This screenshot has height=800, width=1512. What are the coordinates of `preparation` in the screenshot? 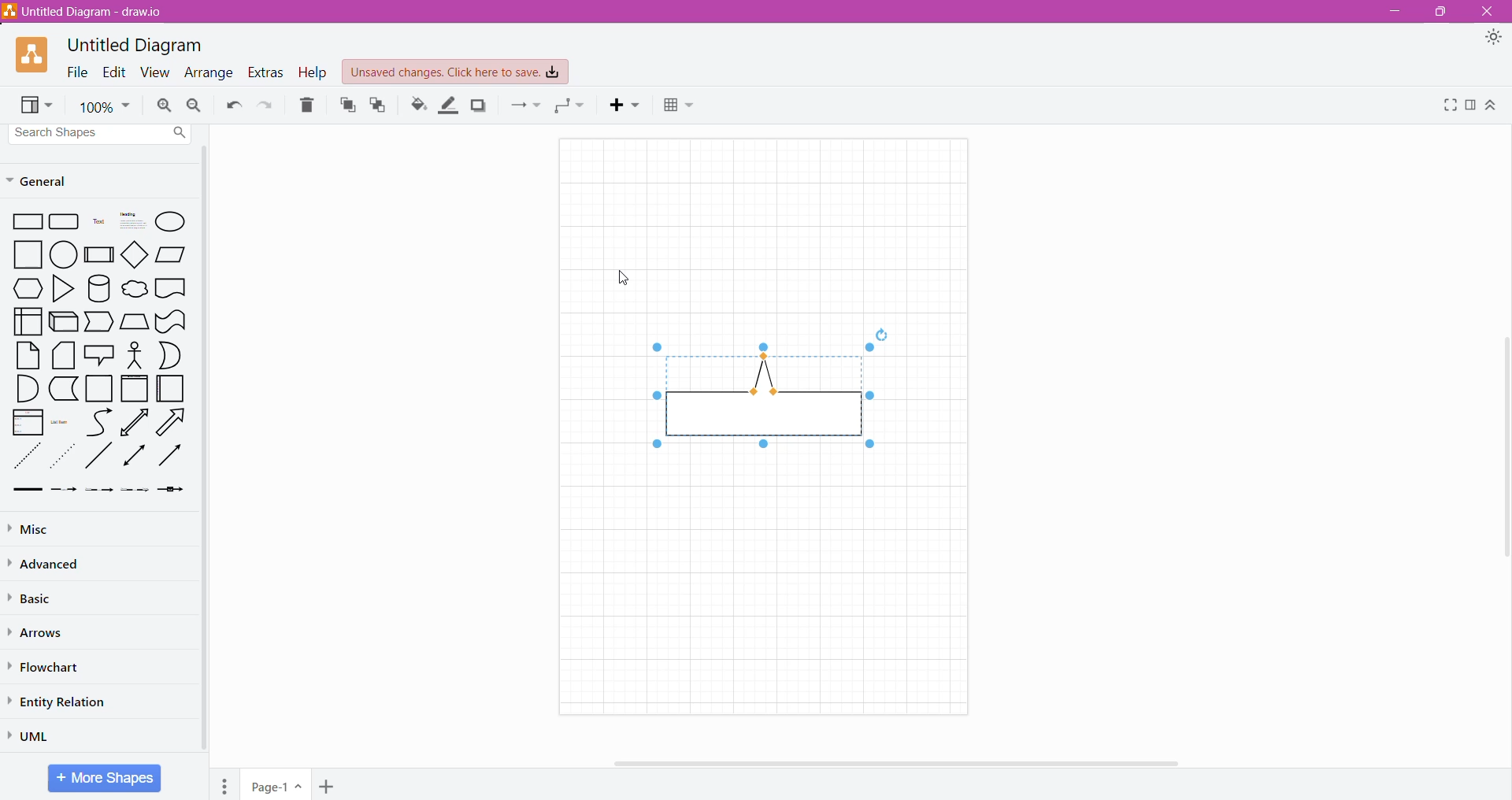 It's located at (24, 289).